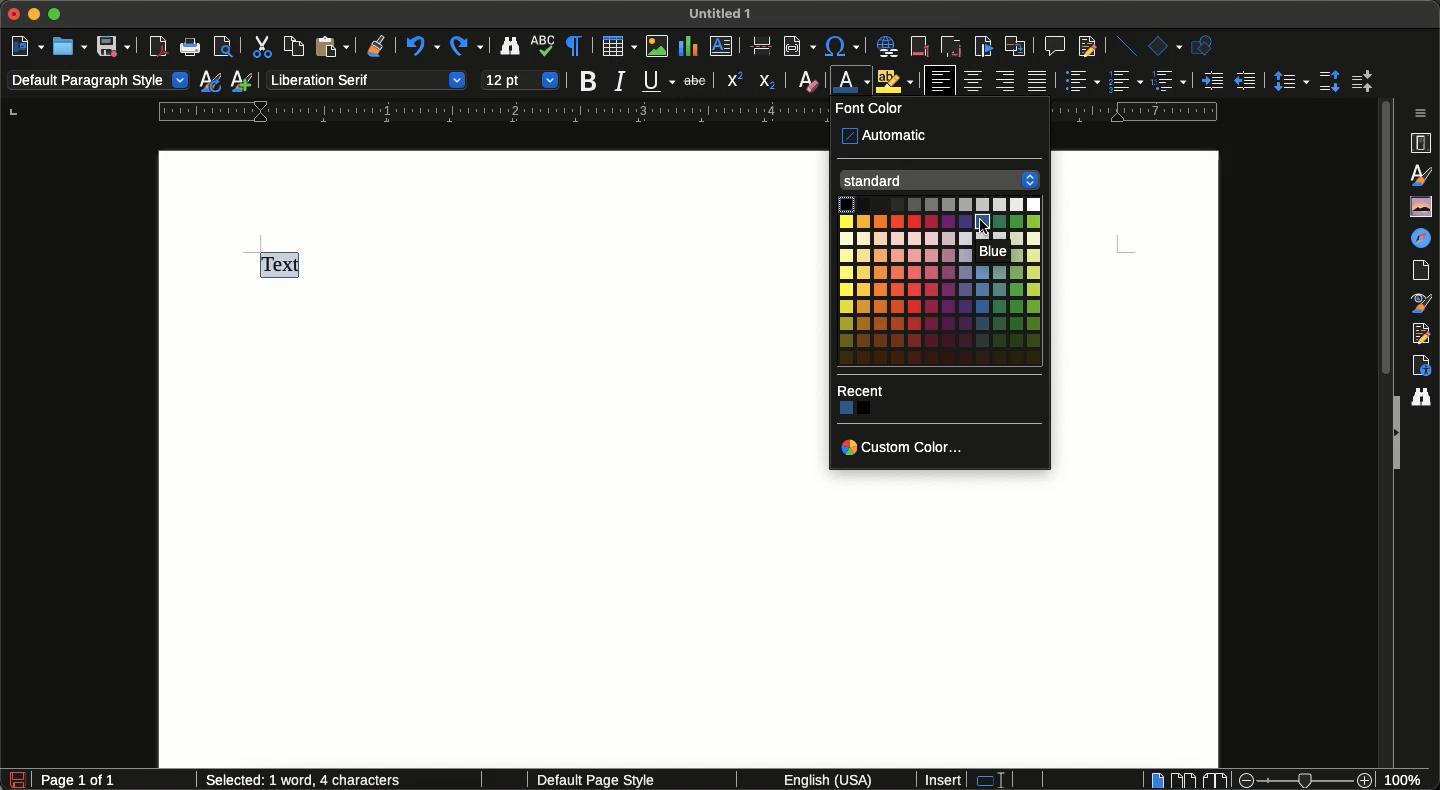 This screenshot has width=1440, height=790. Describe the element at coordinates (1421, 365) in the screenshot. I see `Accessibility check` at that location.